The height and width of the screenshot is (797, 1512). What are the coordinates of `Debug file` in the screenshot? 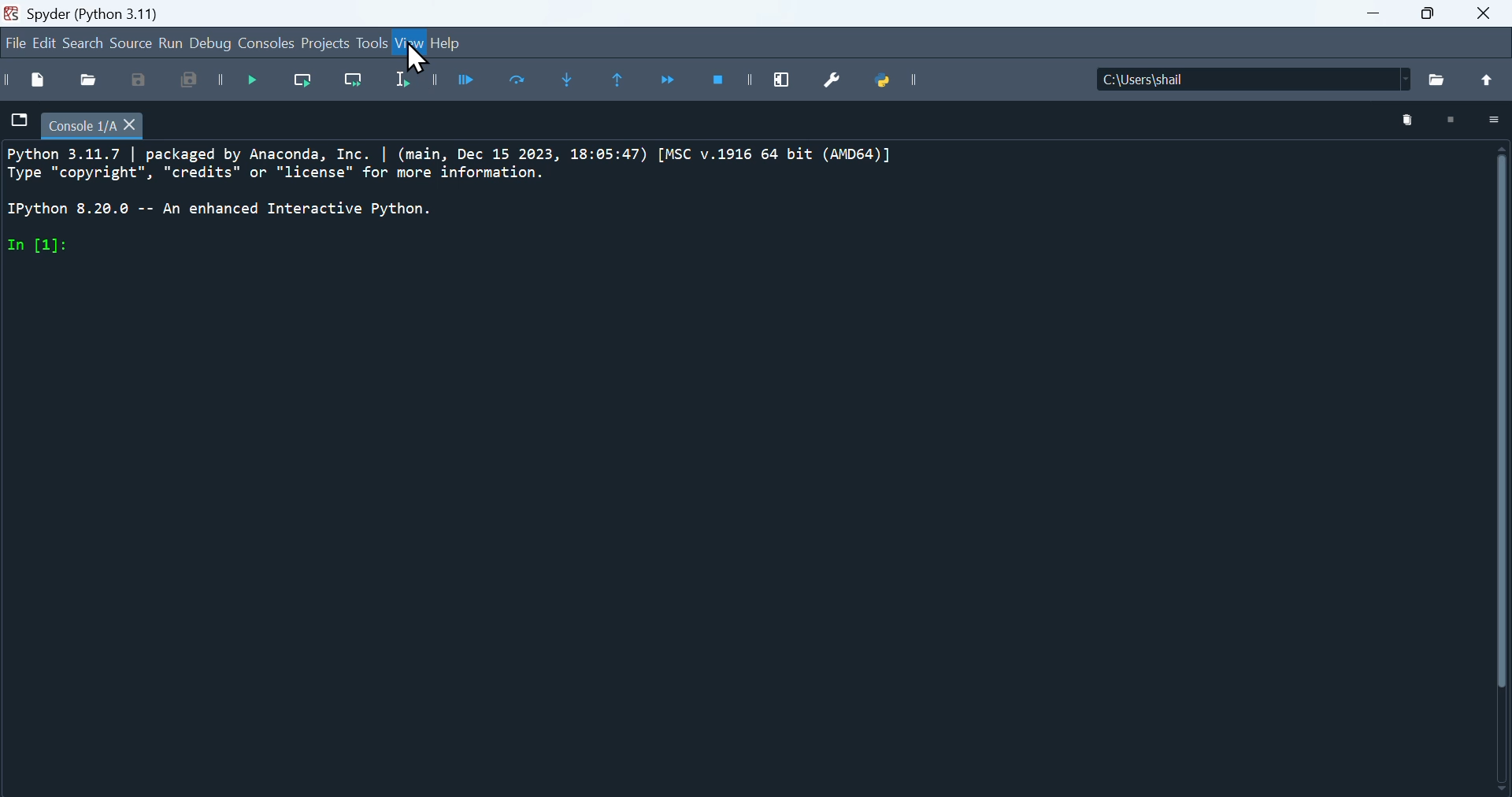 It's located at (259, 83).